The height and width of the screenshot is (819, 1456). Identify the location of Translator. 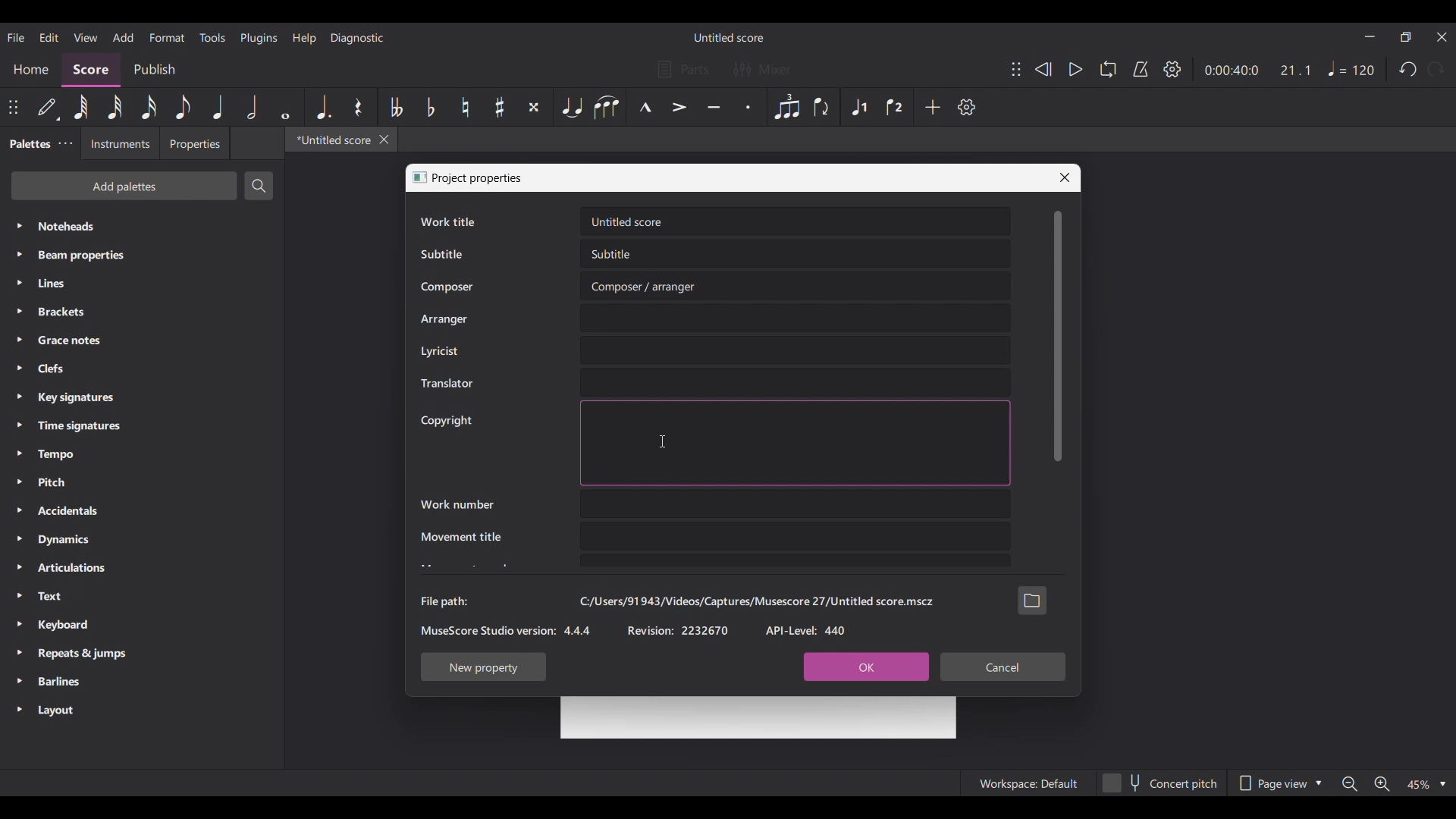
(446, 384).